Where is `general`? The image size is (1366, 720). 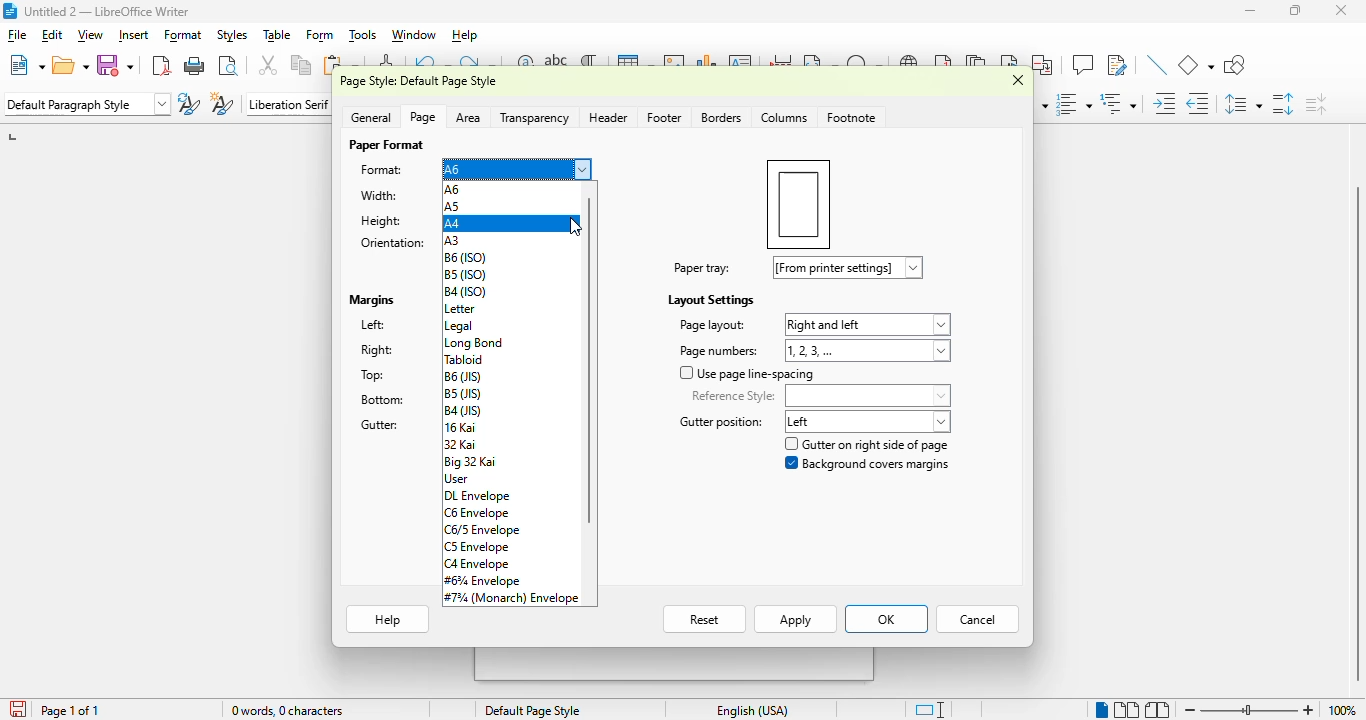
general is located at coordinates (372, 118).